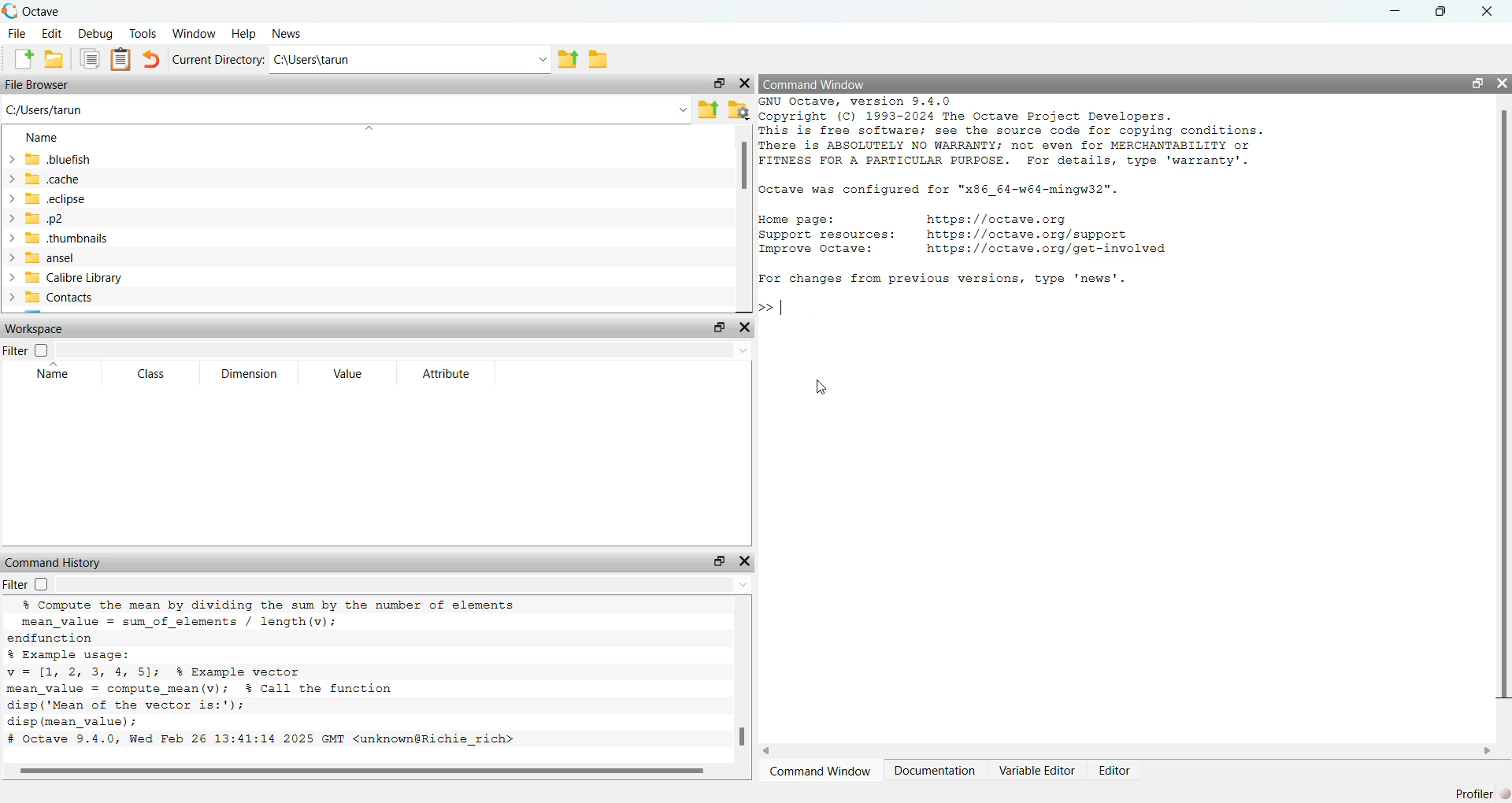  What do you see at coordinates (448, 374) in the screenshot?
I see `Attribute` at bounding box center [448, 374].